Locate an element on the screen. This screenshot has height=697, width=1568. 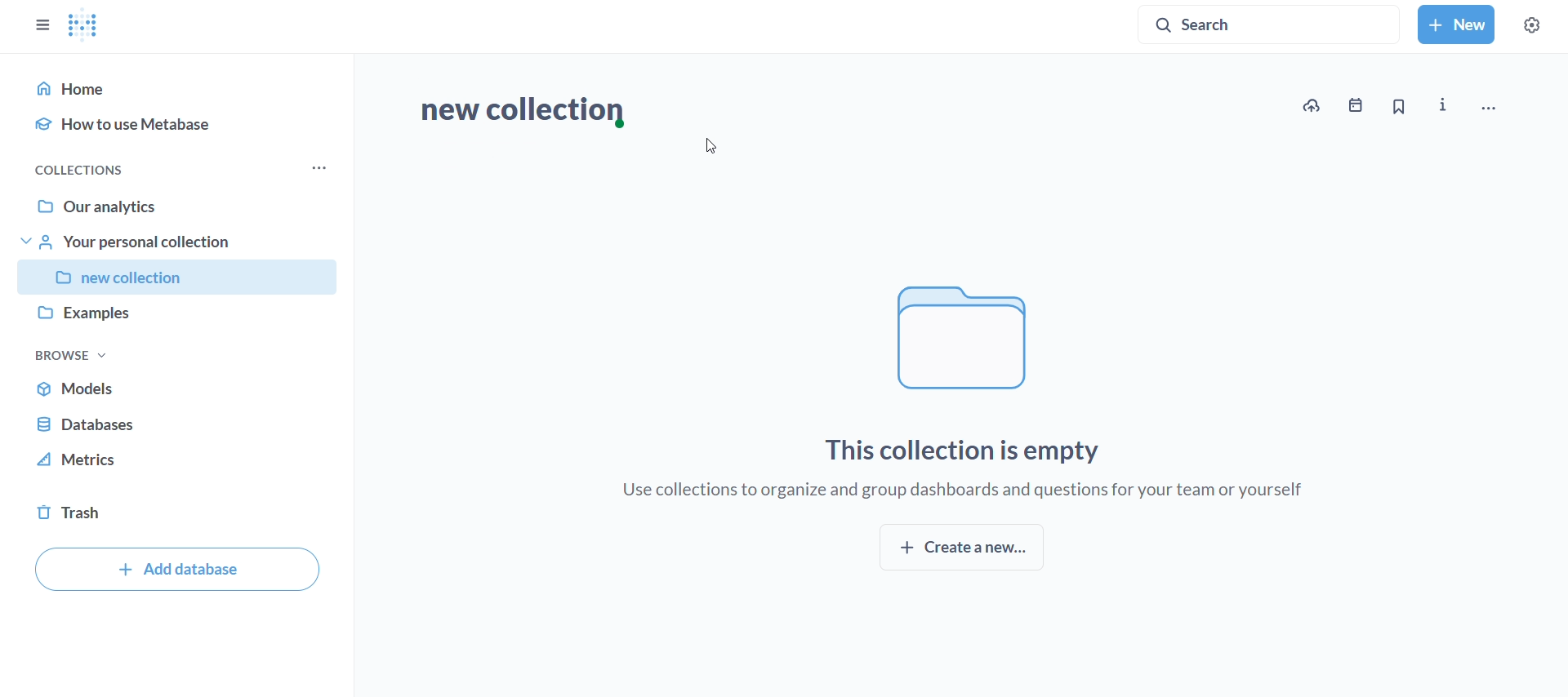
cursor is located at coordinates (714, 146).